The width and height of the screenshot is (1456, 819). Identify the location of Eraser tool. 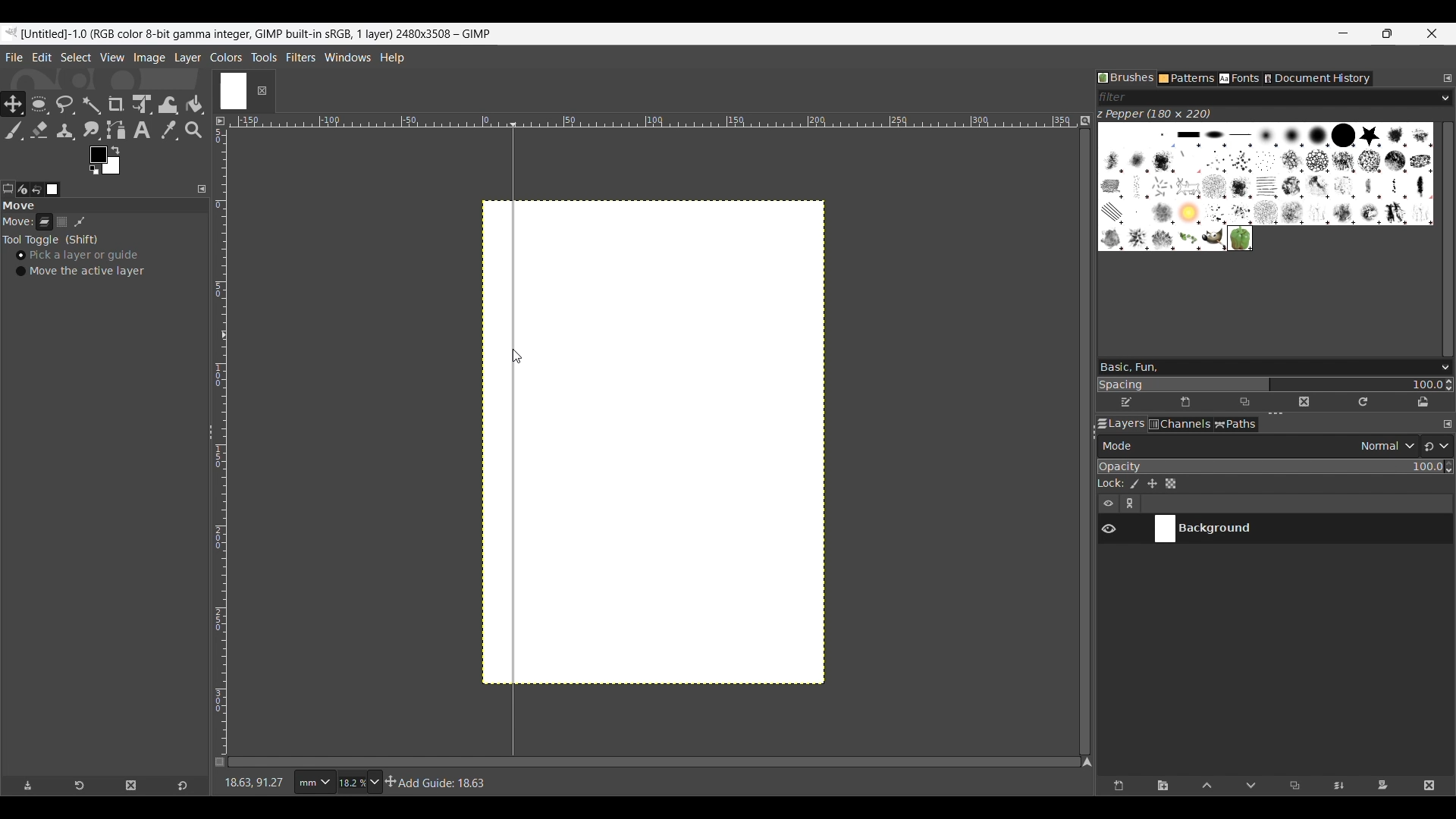
(38, 130).